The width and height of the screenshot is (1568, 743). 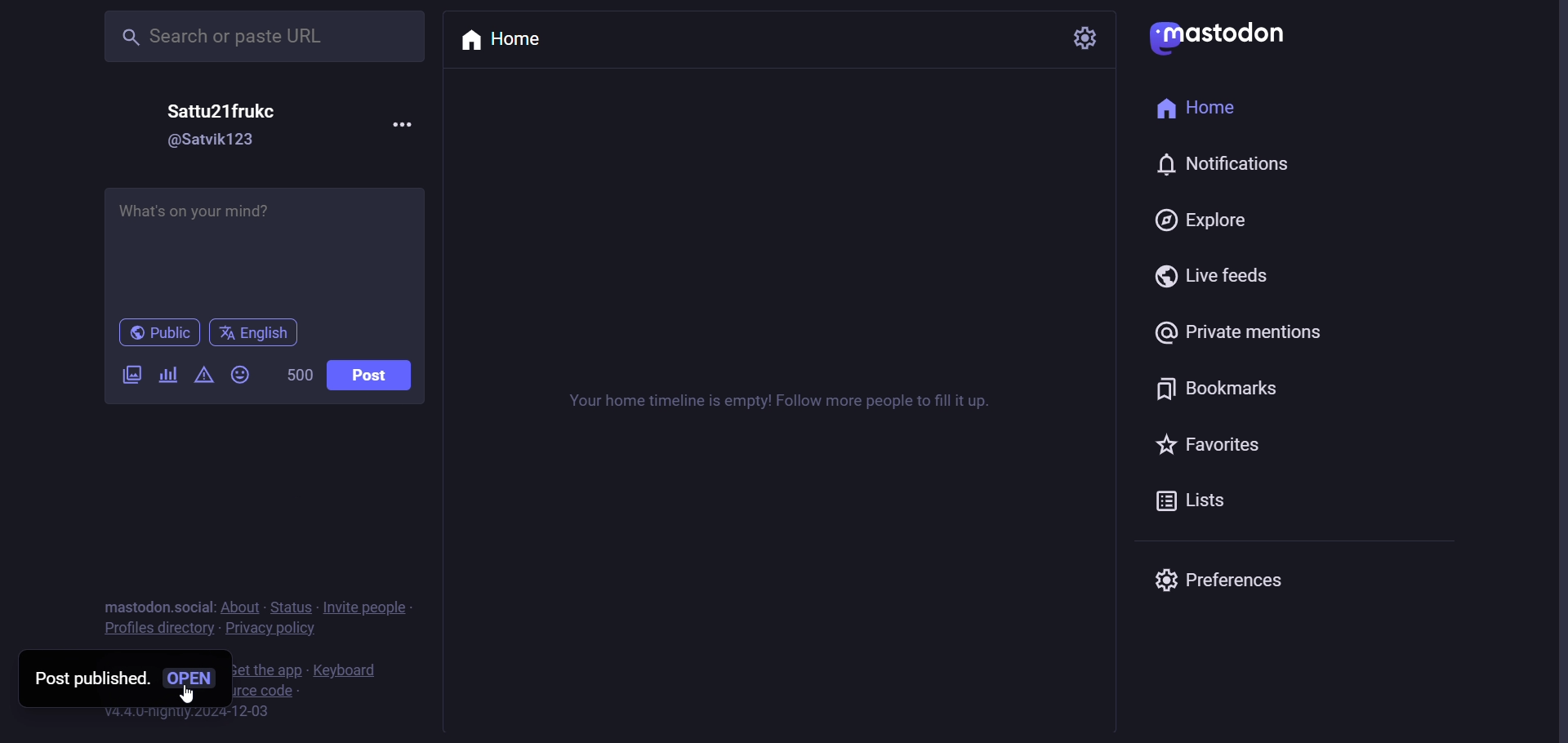 I want to click on private mentions, so click(x=1234, y=332).